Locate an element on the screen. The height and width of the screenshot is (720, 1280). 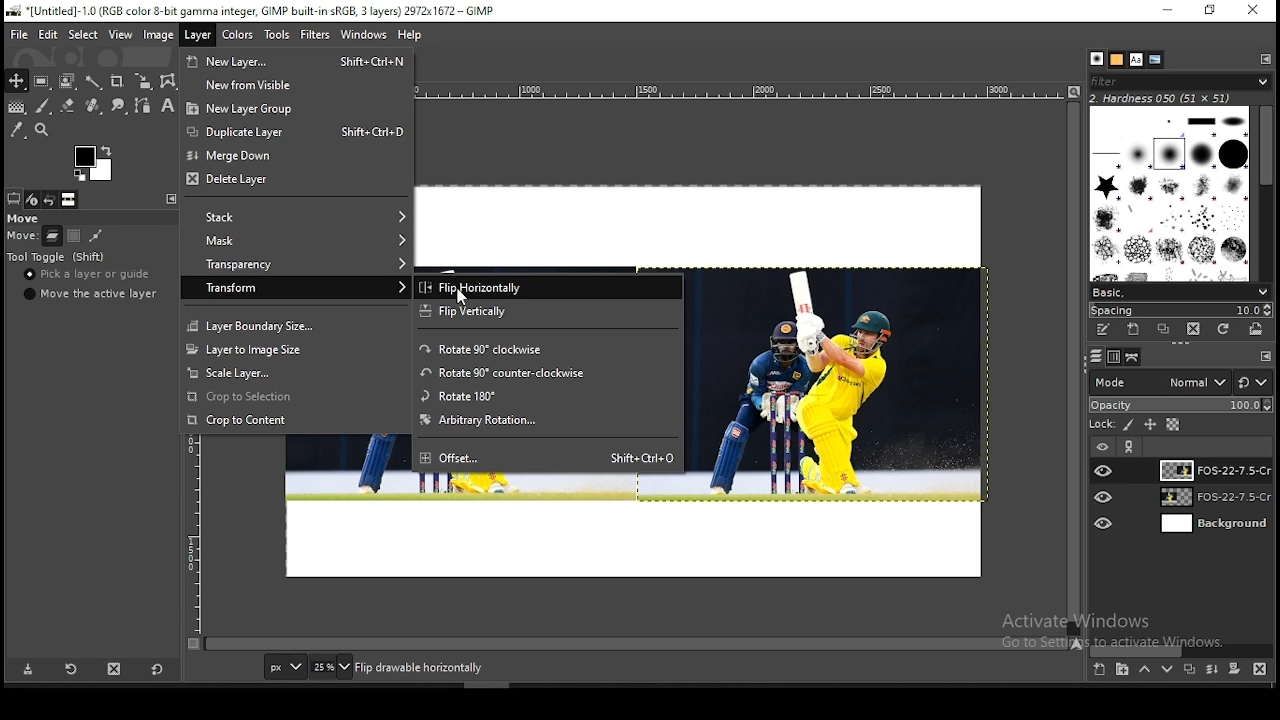
colors is located at coordinates (240, 36).